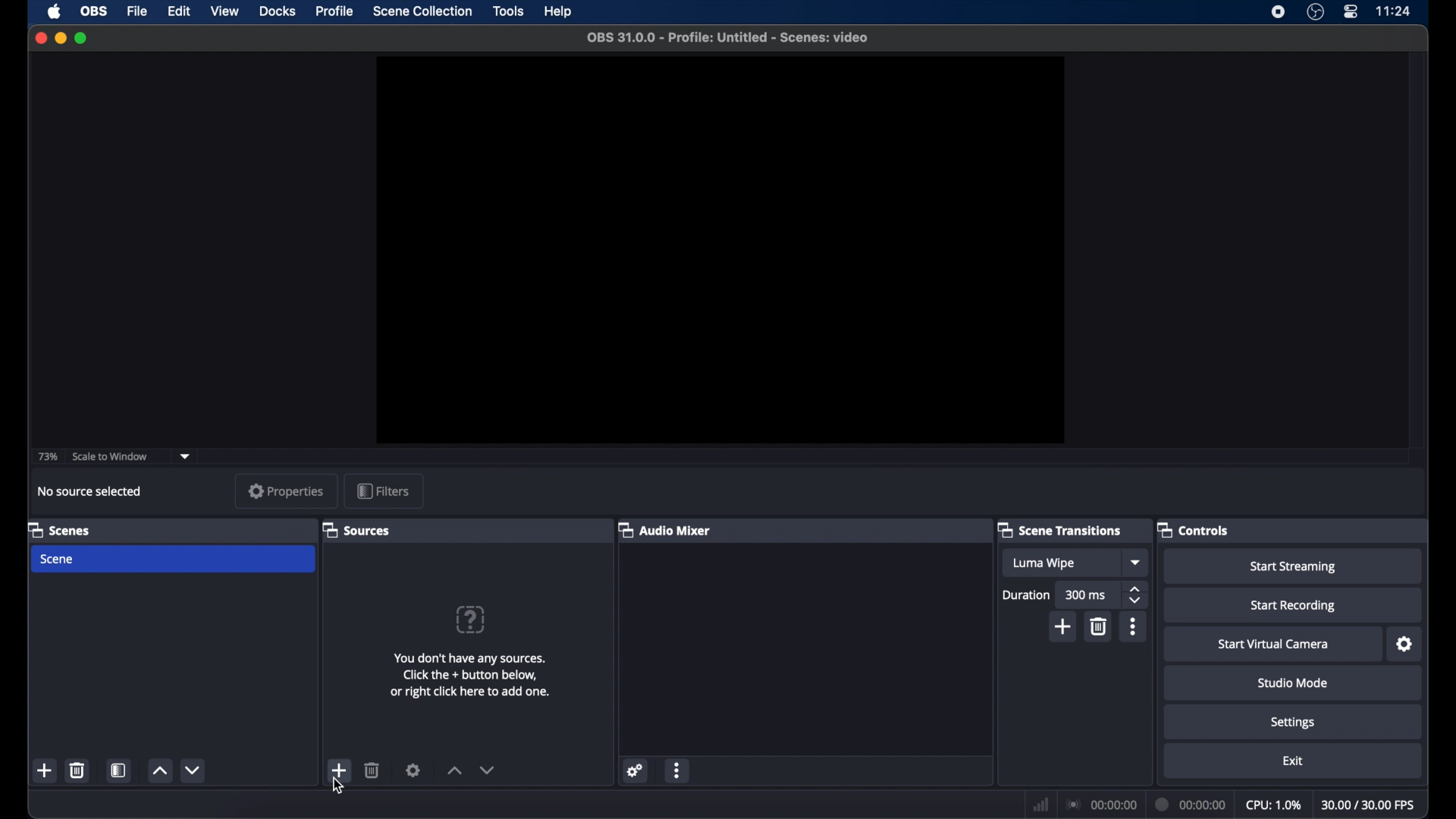  What do you see at coordinates (1043, 564) in the screenshot?
I see `luma wipe` at bounding box center [1043, 564].